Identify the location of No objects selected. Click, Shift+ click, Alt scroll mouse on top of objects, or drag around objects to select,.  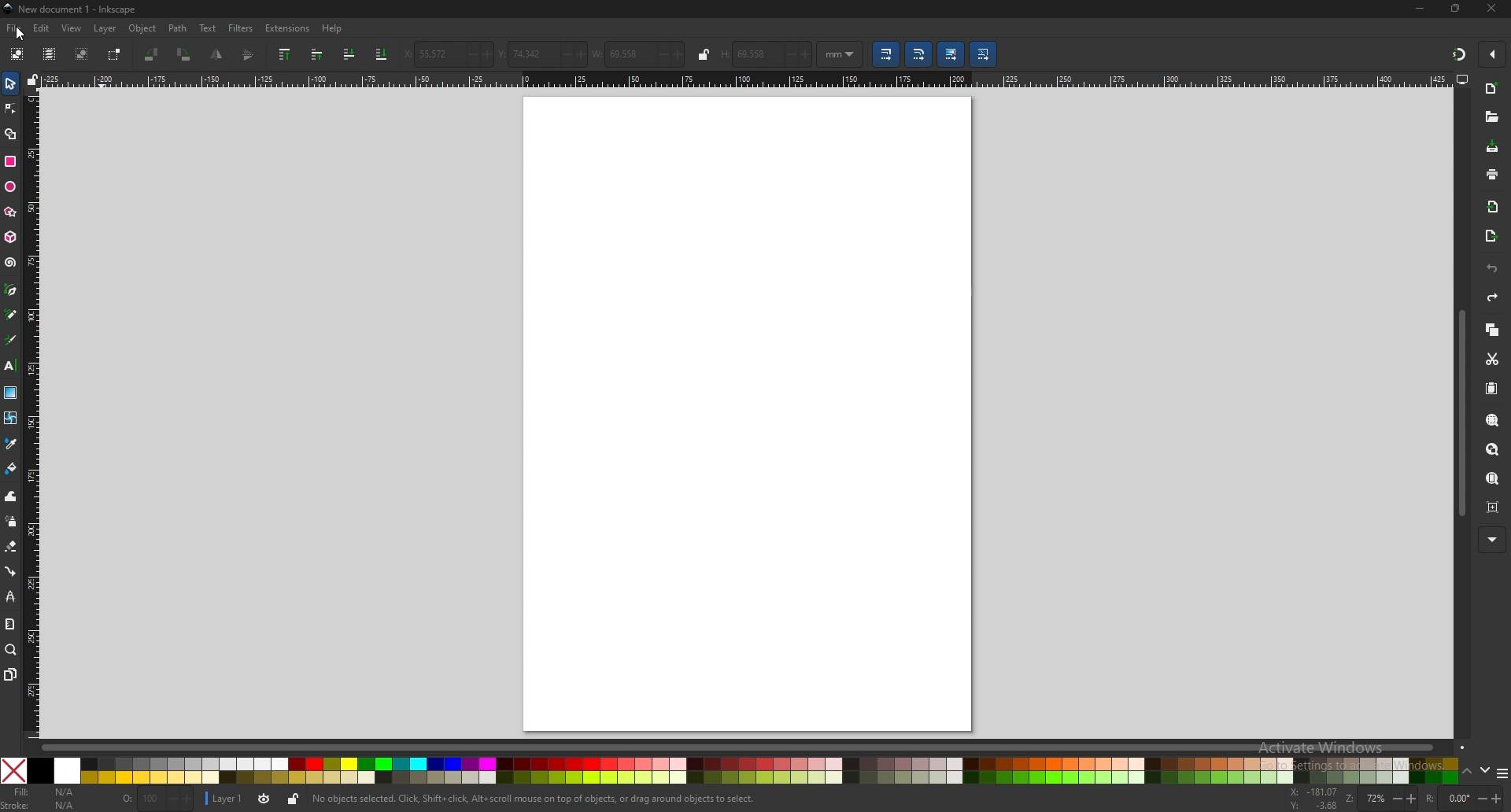
(549, 799).